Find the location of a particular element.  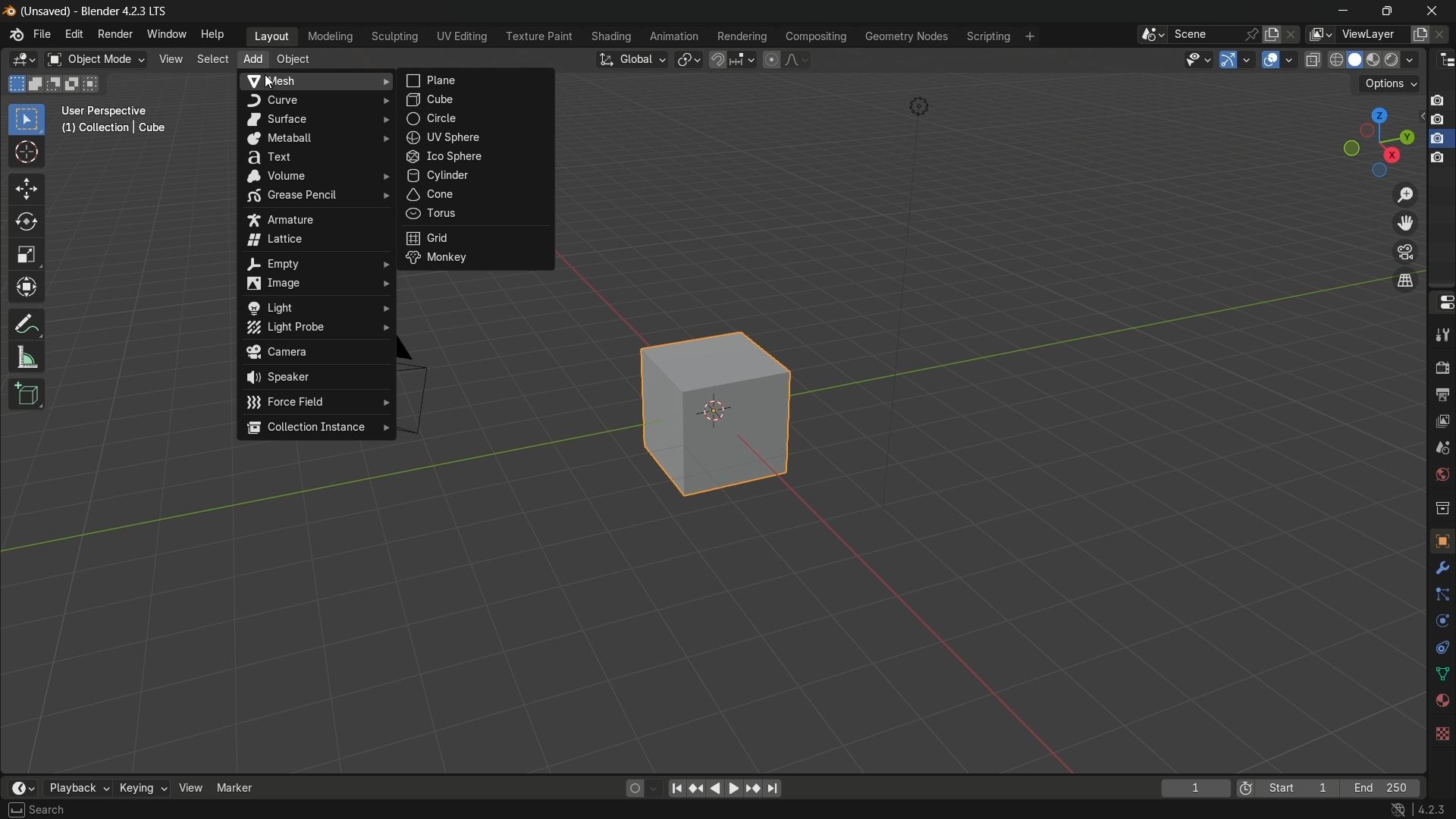

metaball is located at coordinates (315, 138).